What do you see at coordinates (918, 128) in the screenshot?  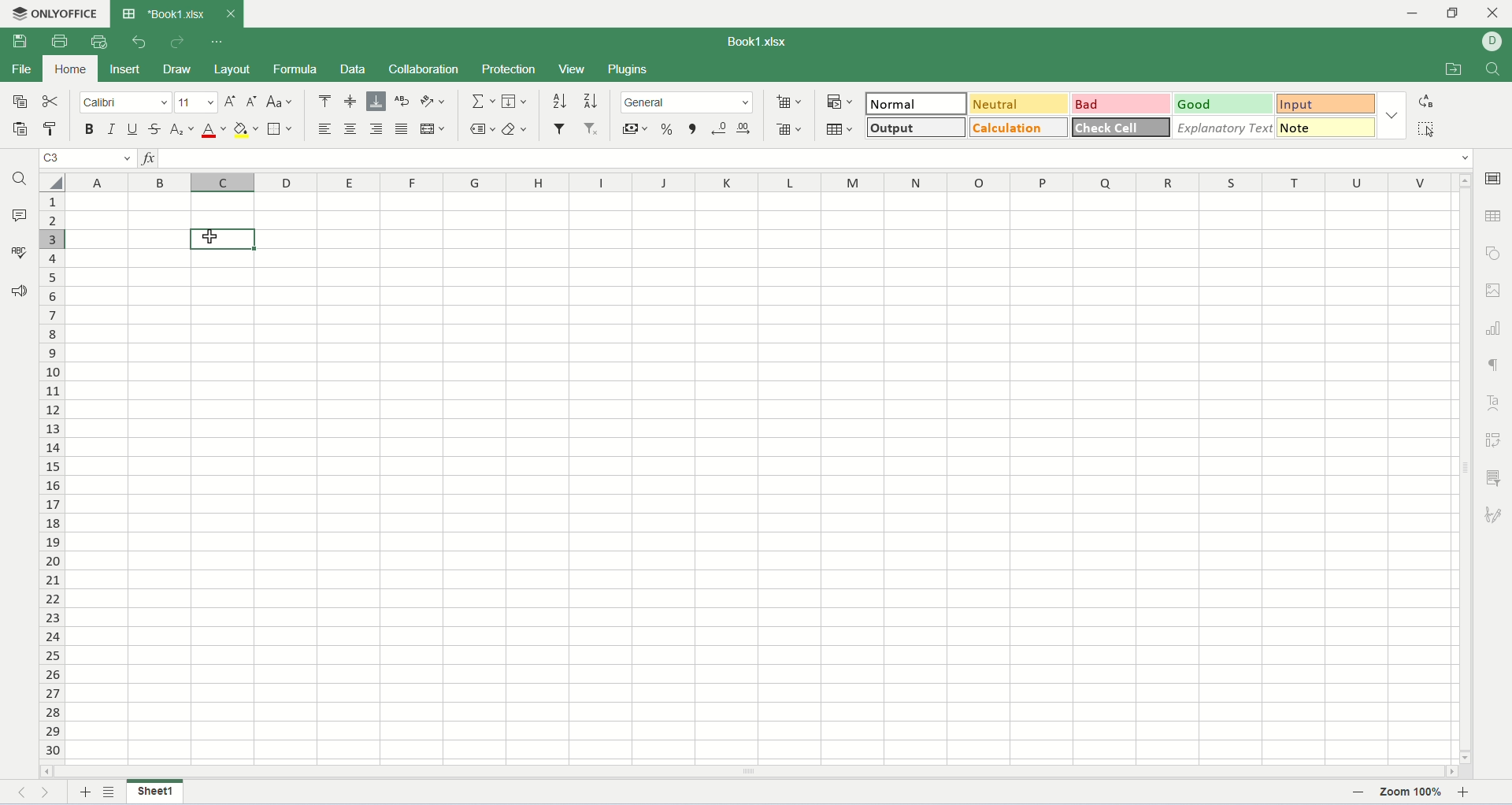 I see `output` at bounding box center [918, 128].